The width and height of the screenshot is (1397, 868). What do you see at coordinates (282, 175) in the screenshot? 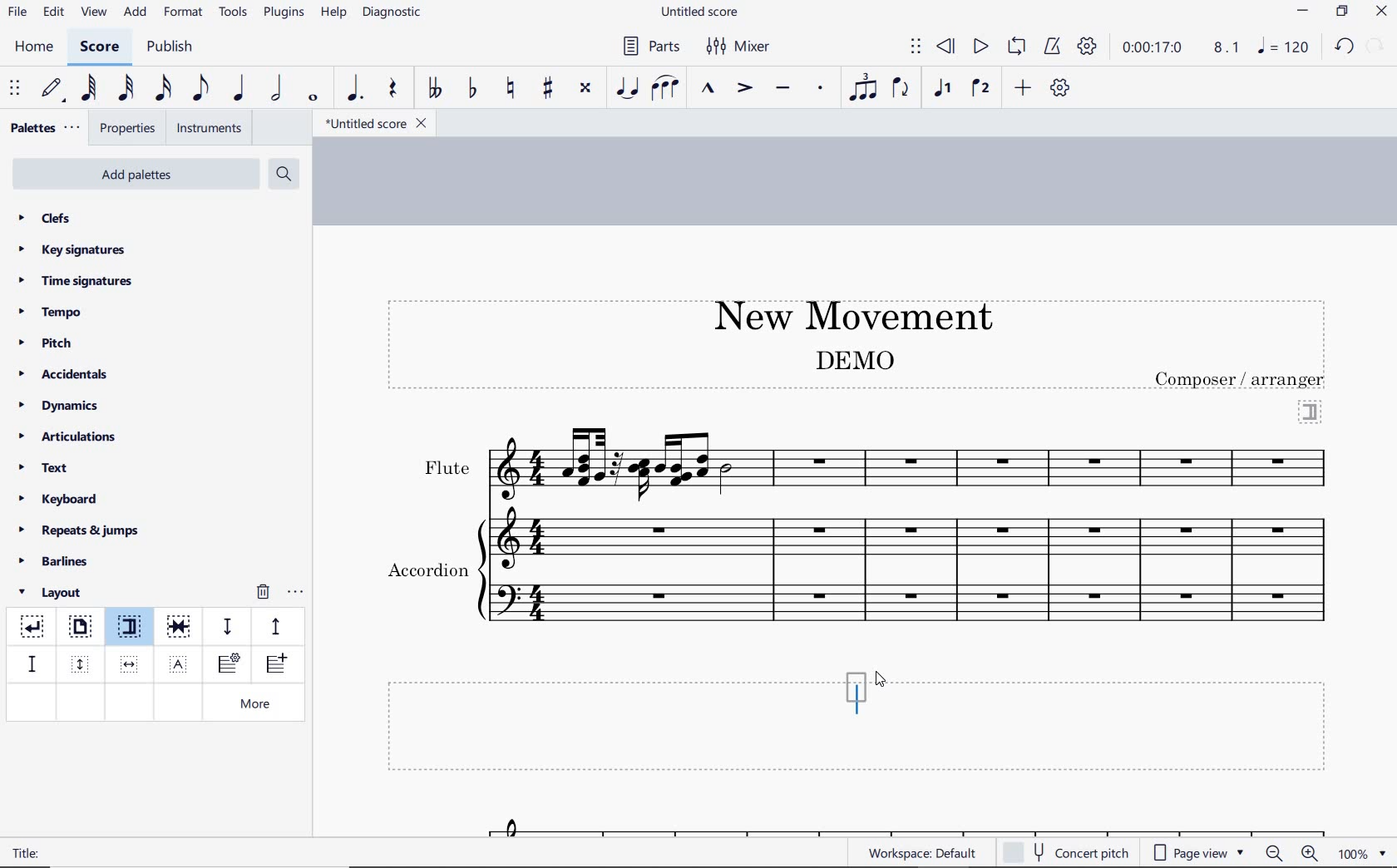
I see `search palettes` at bounding box center [282, 175].